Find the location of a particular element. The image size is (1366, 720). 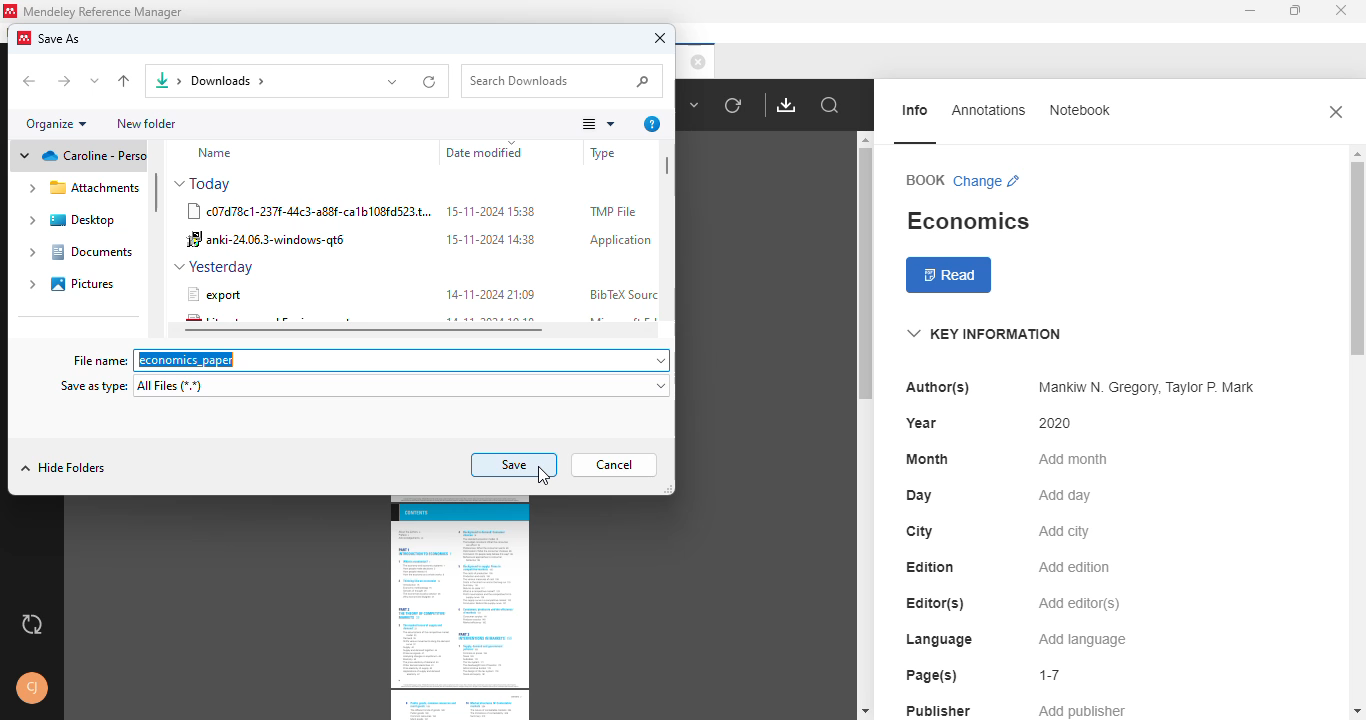

mendeley reference manager is located at coordinates (102, 12).